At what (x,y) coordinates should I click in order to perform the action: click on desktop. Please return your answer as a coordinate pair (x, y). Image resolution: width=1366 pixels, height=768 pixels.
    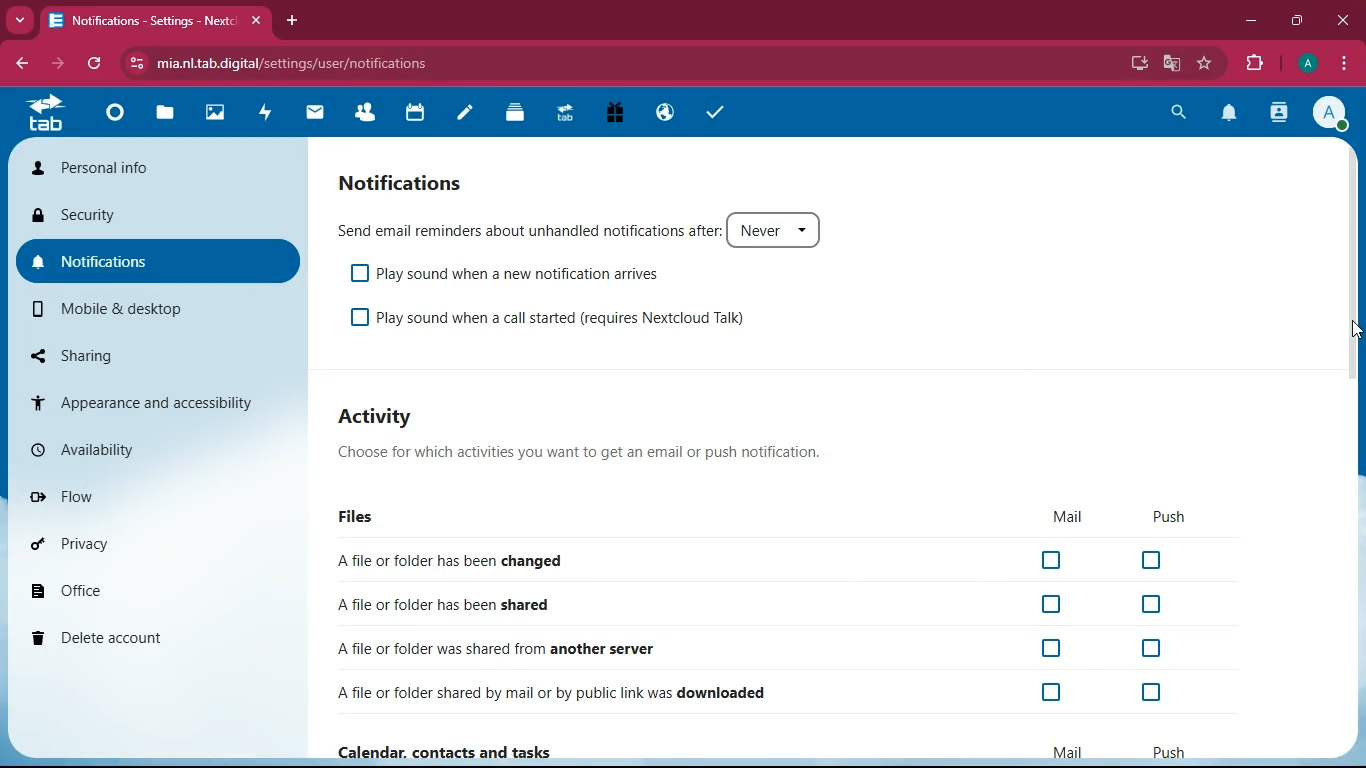
    Looking at the image, I should click on (1138, 65).